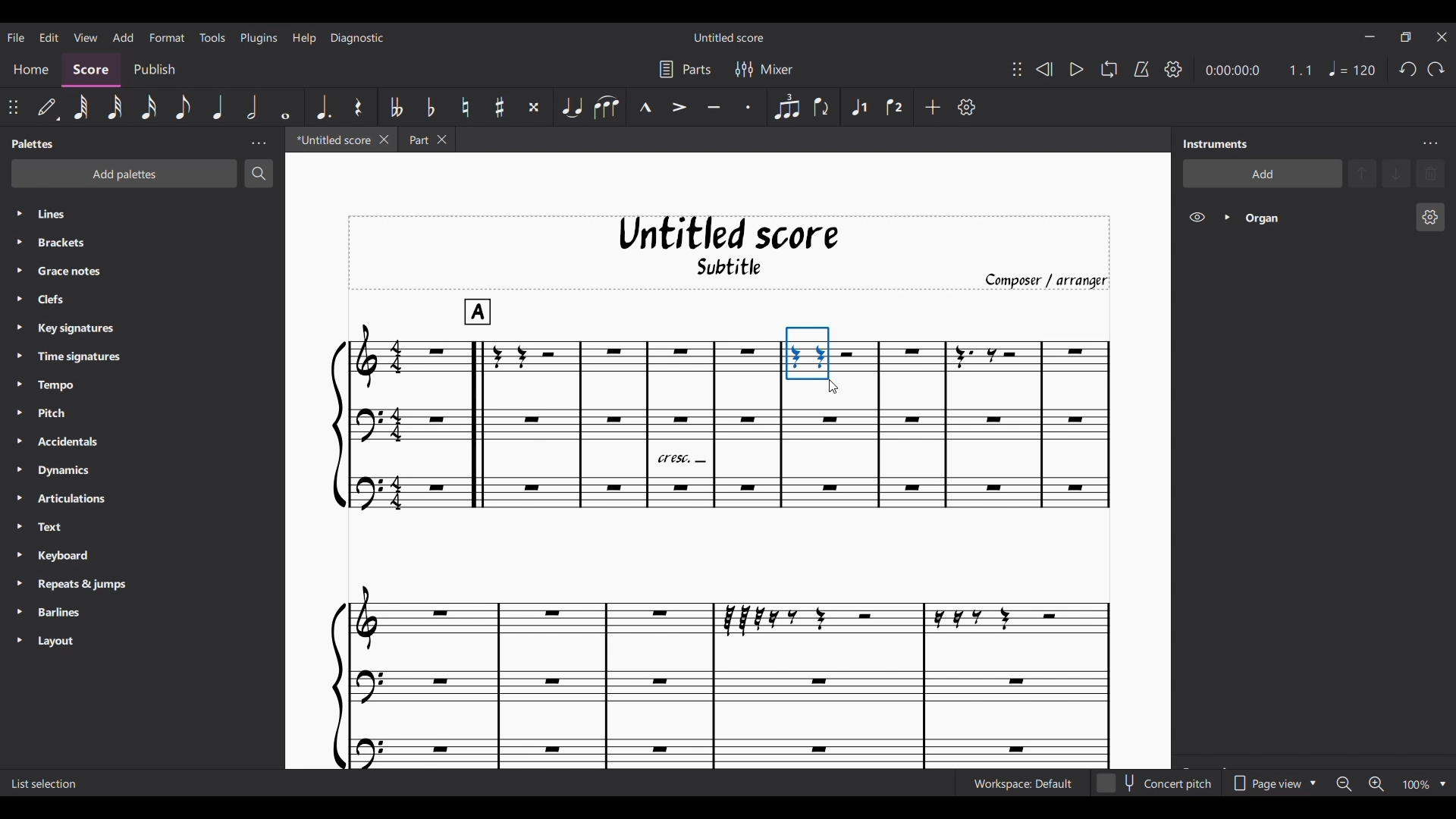 This screenshot has width=1456, height=819. Describe the element at coordinates (1431, 174) in the screenshot. I see `Delete selection` at that location.